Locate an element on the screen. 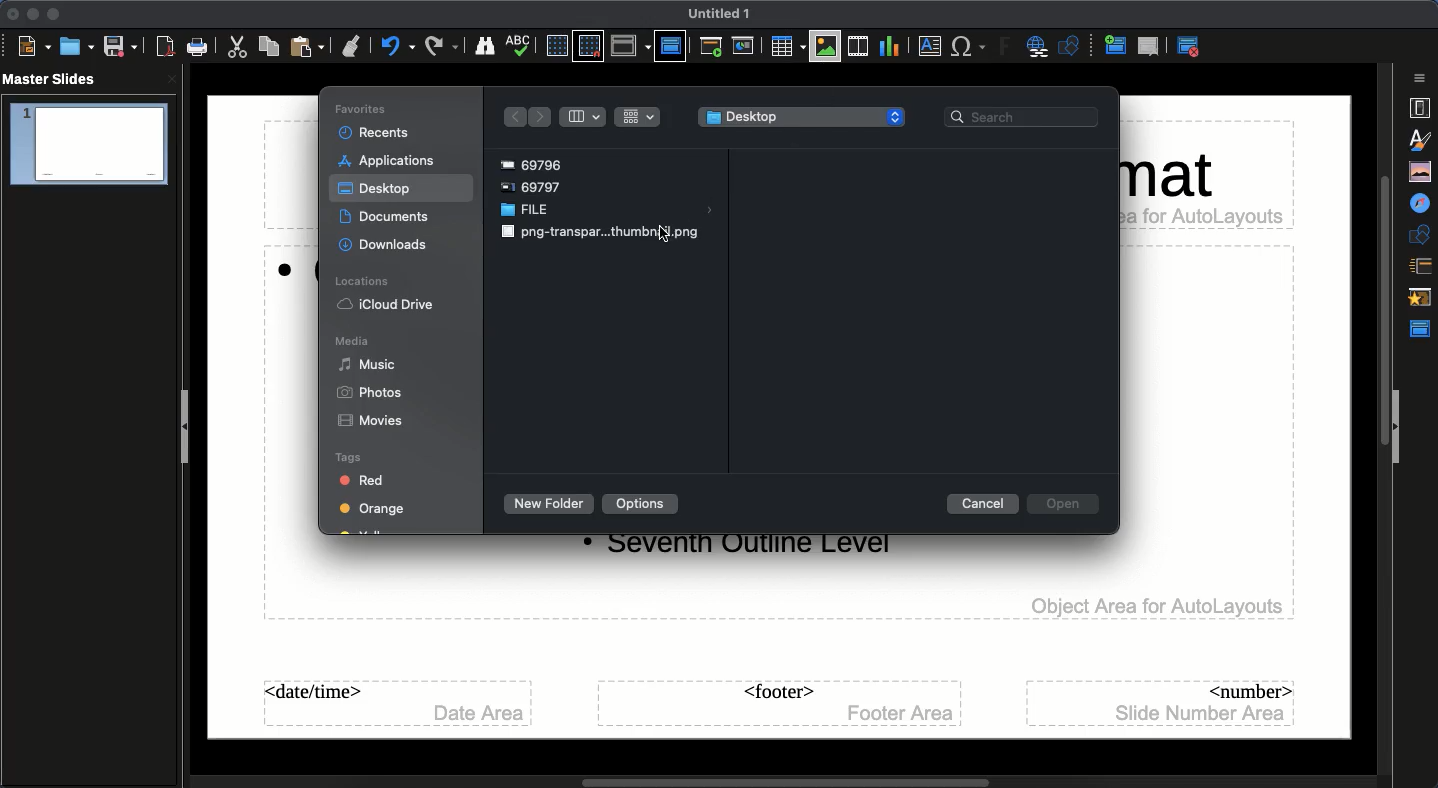 This screenshot has height=788, width=1438. Cancel is located at coordinates (984, 504).